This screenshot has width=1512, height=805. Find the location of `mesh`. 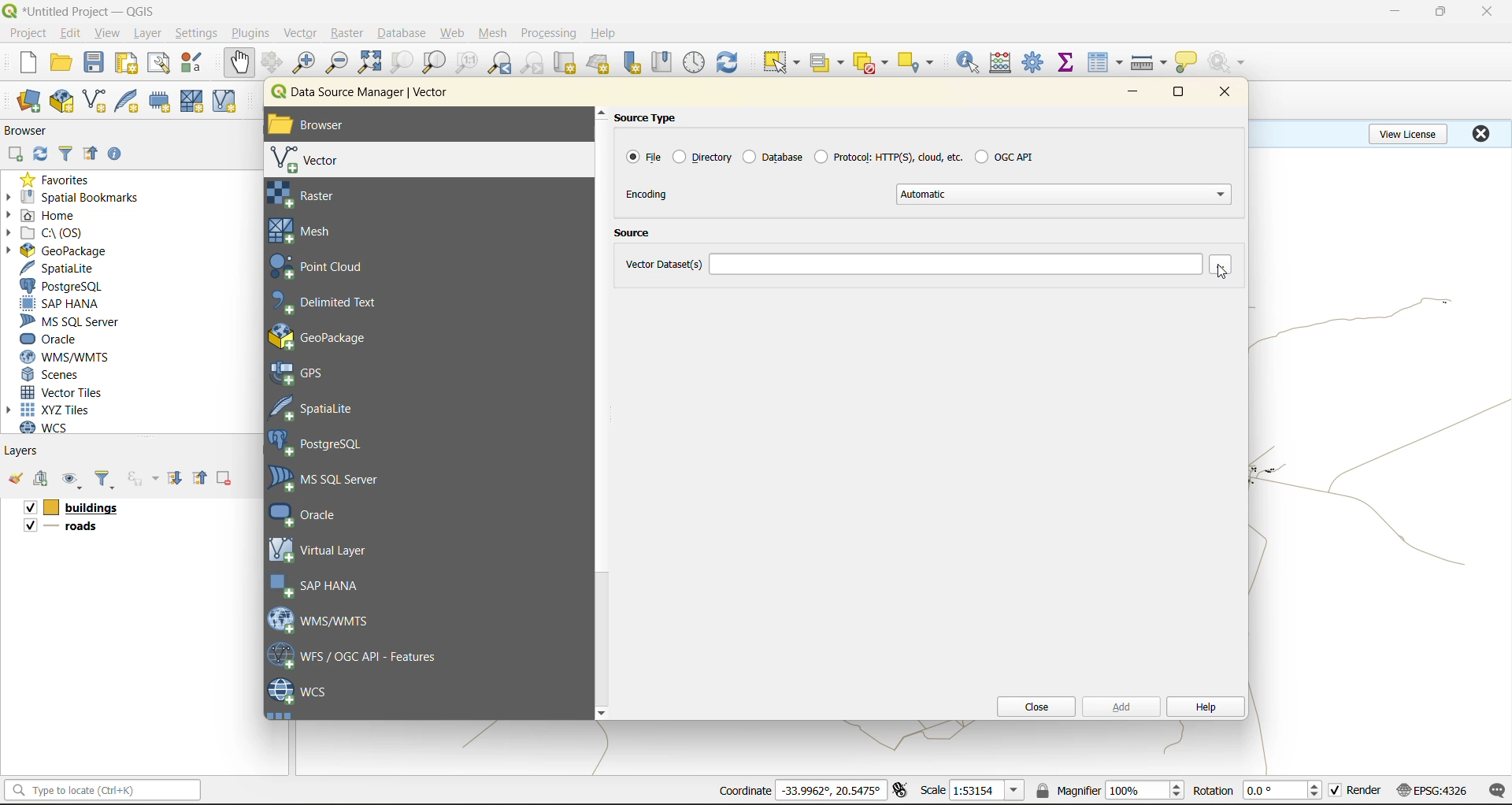

mesh is located at coordinates (308, 231).